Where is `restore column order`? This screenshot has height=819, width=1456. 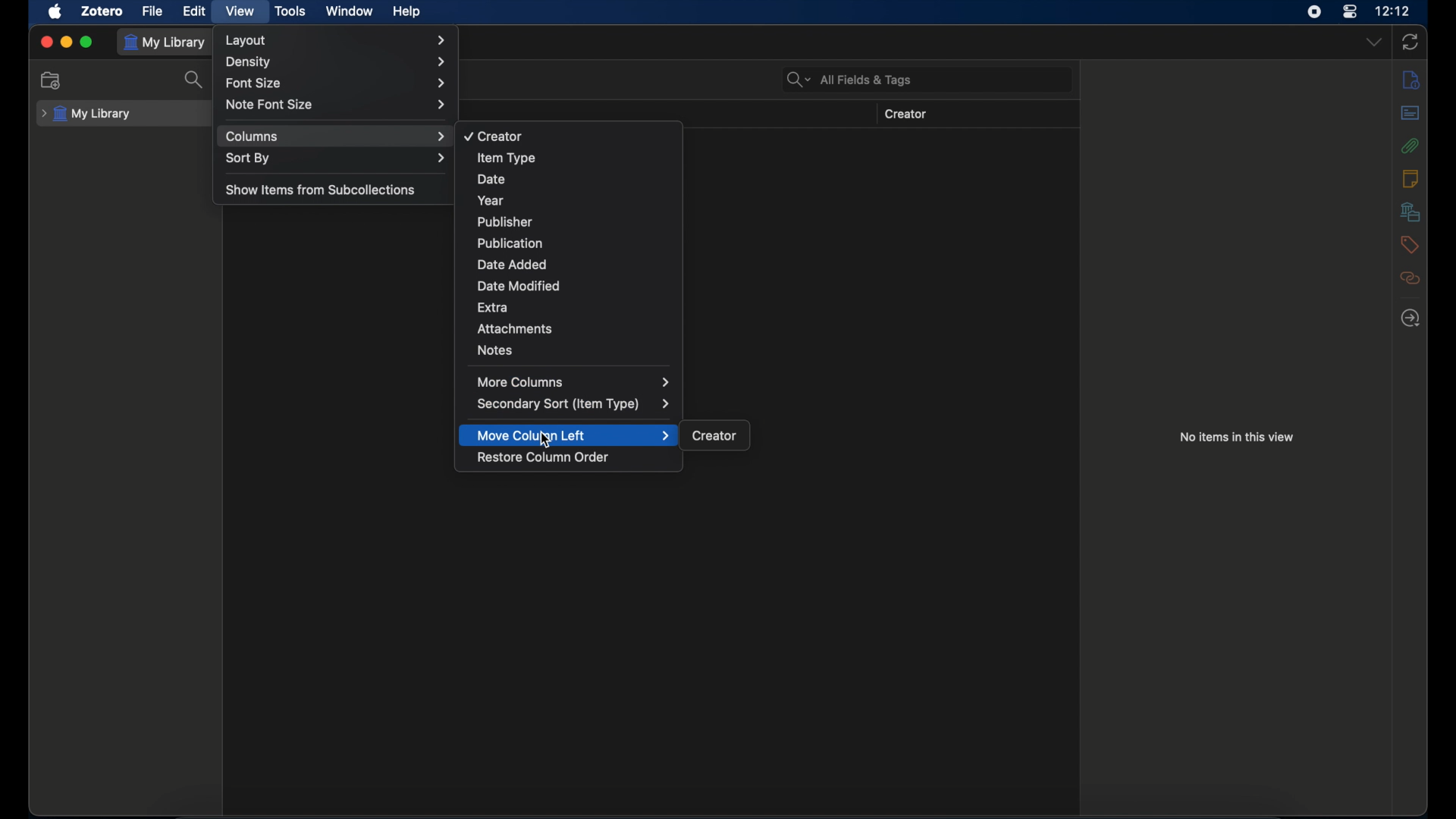 restore column order is located at coordinates (544, 457).